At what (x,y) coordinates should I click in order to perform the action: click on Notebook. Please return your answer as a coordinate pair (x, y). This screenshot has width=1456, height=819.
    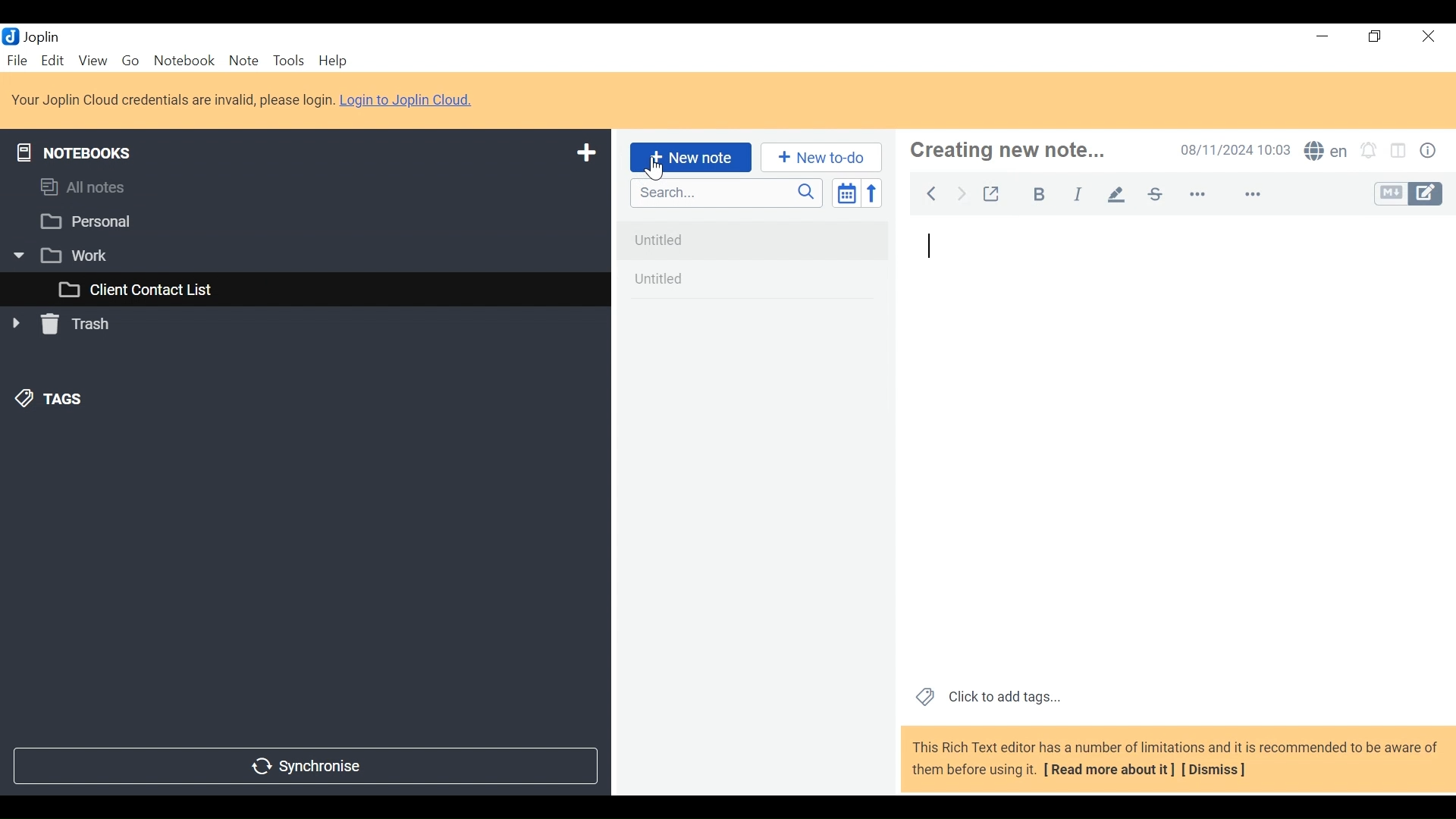
    Looking at the image, I should click on (183, 61).